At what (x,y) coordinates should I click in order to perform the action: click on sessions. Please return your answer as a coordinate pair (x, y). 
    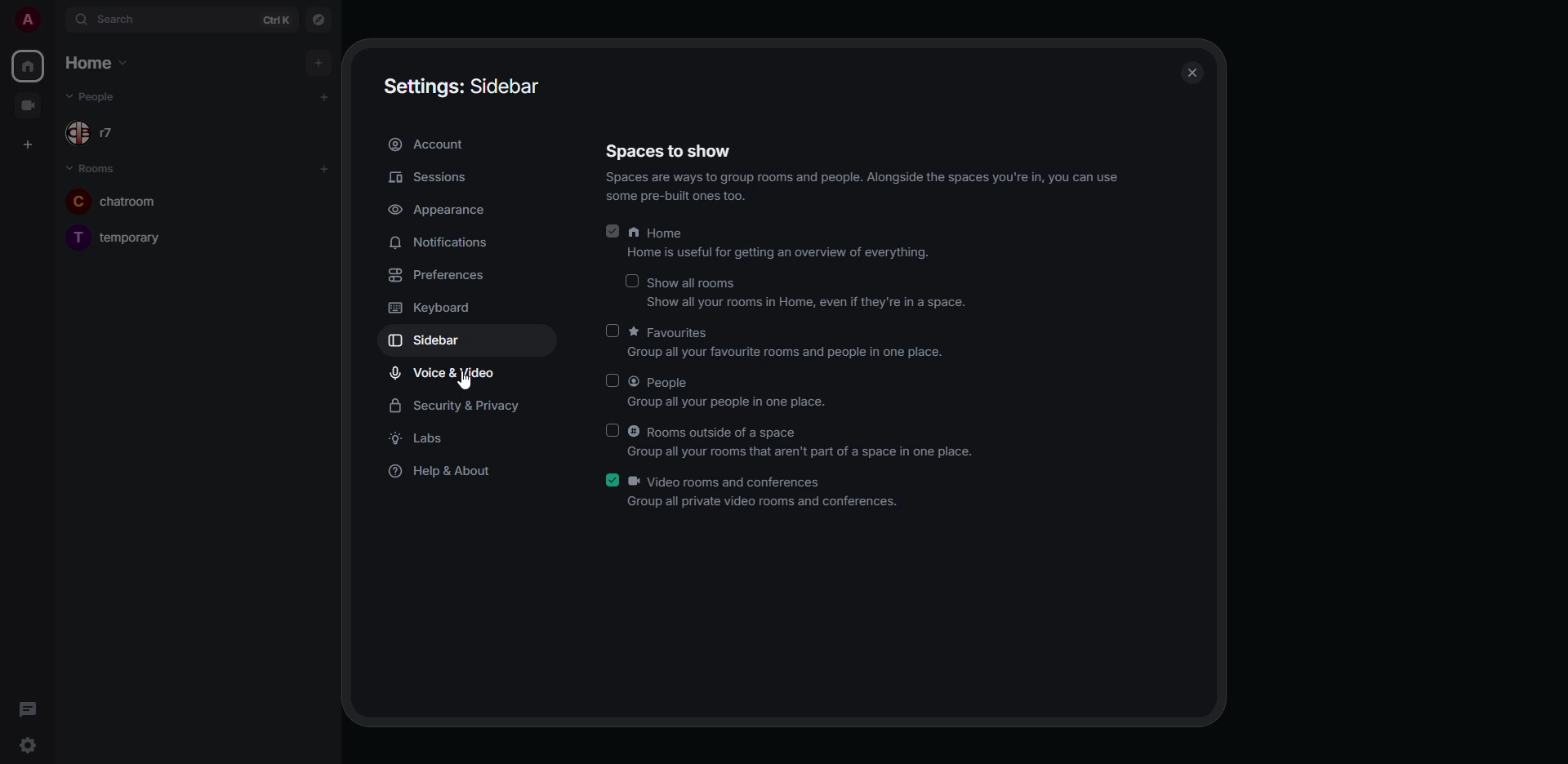
    Looking at the image, I should click on (431, 179).